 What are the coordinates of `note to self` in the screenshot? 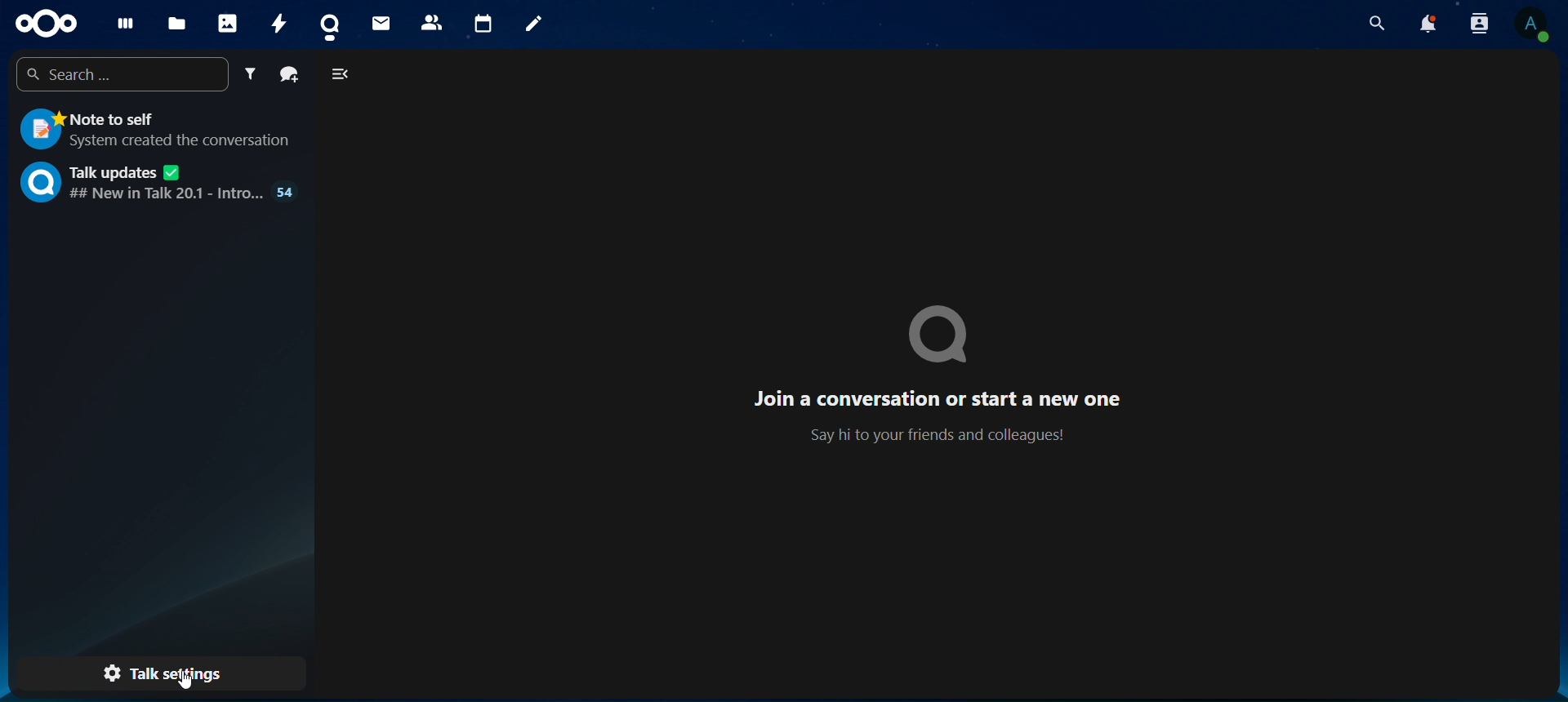 It's located at (157, 131).